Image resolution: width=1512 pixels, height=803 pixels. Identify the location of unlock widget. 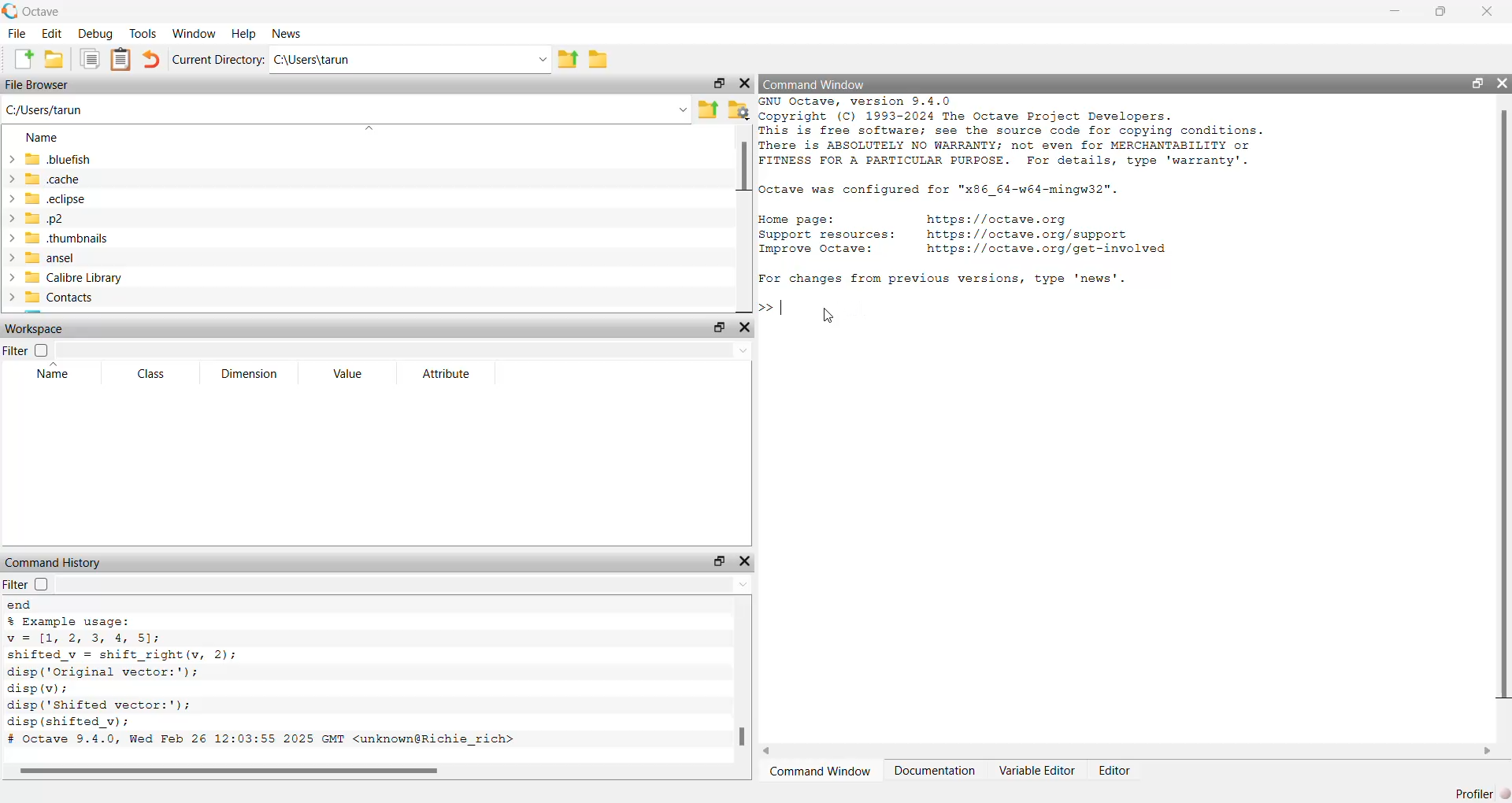
(715, 560).